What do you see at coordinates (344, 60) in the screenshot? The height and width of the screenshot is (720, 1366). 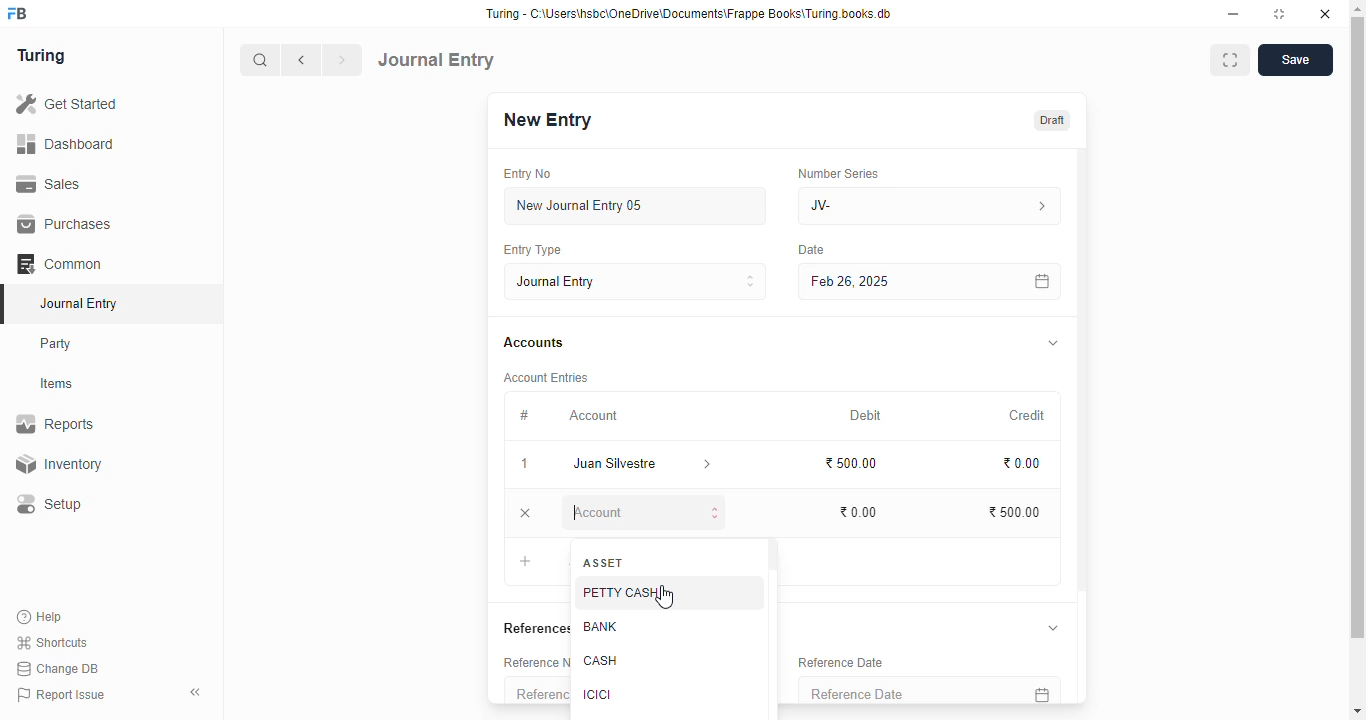 I see `next` at bounding box center [344, 60].